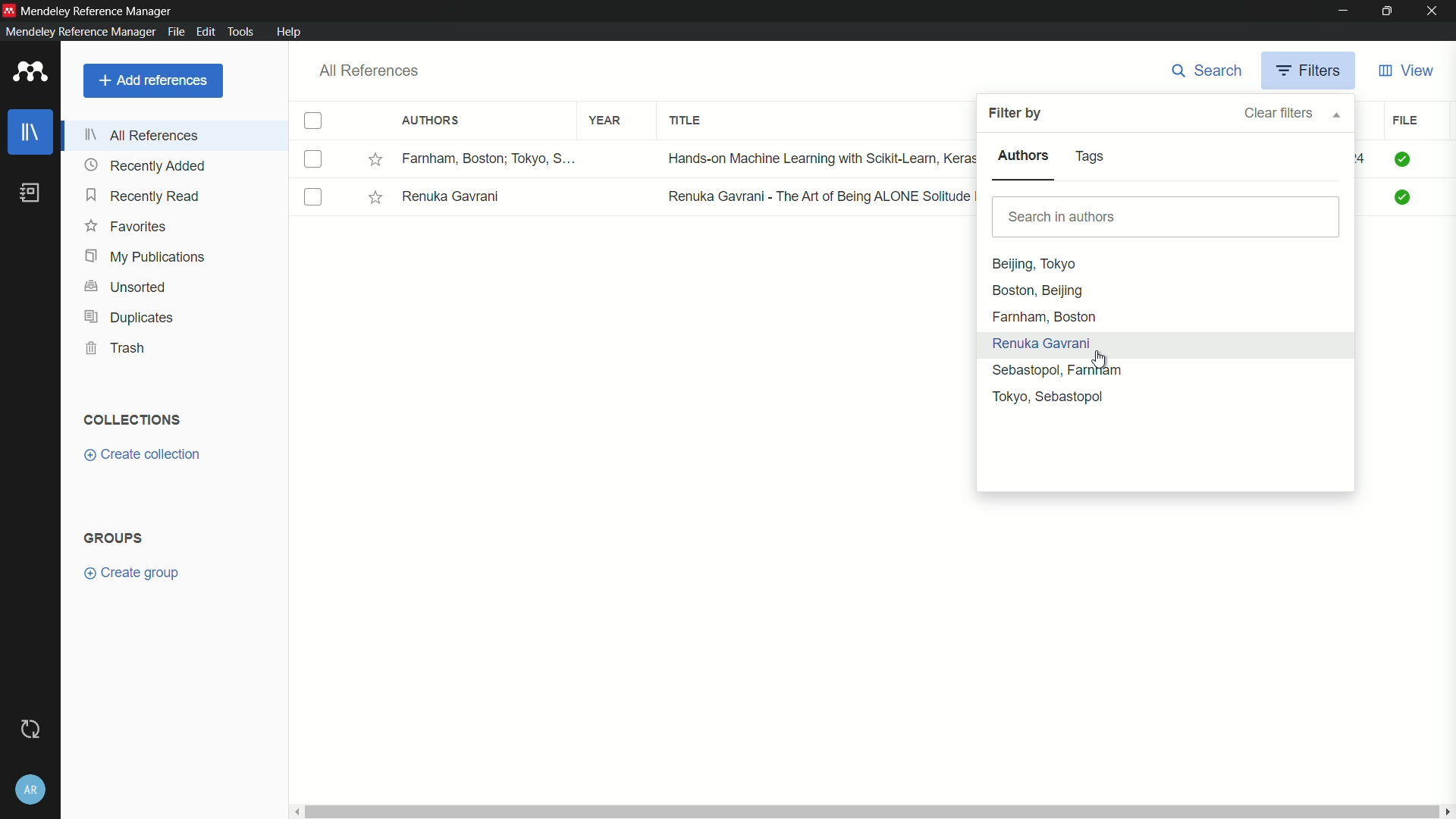 The width and height of the screenshot is (1456, 819). What do you see at coordinates (154, 80) in the screenshot?
I see `add references` at bounding box center [154, 80].